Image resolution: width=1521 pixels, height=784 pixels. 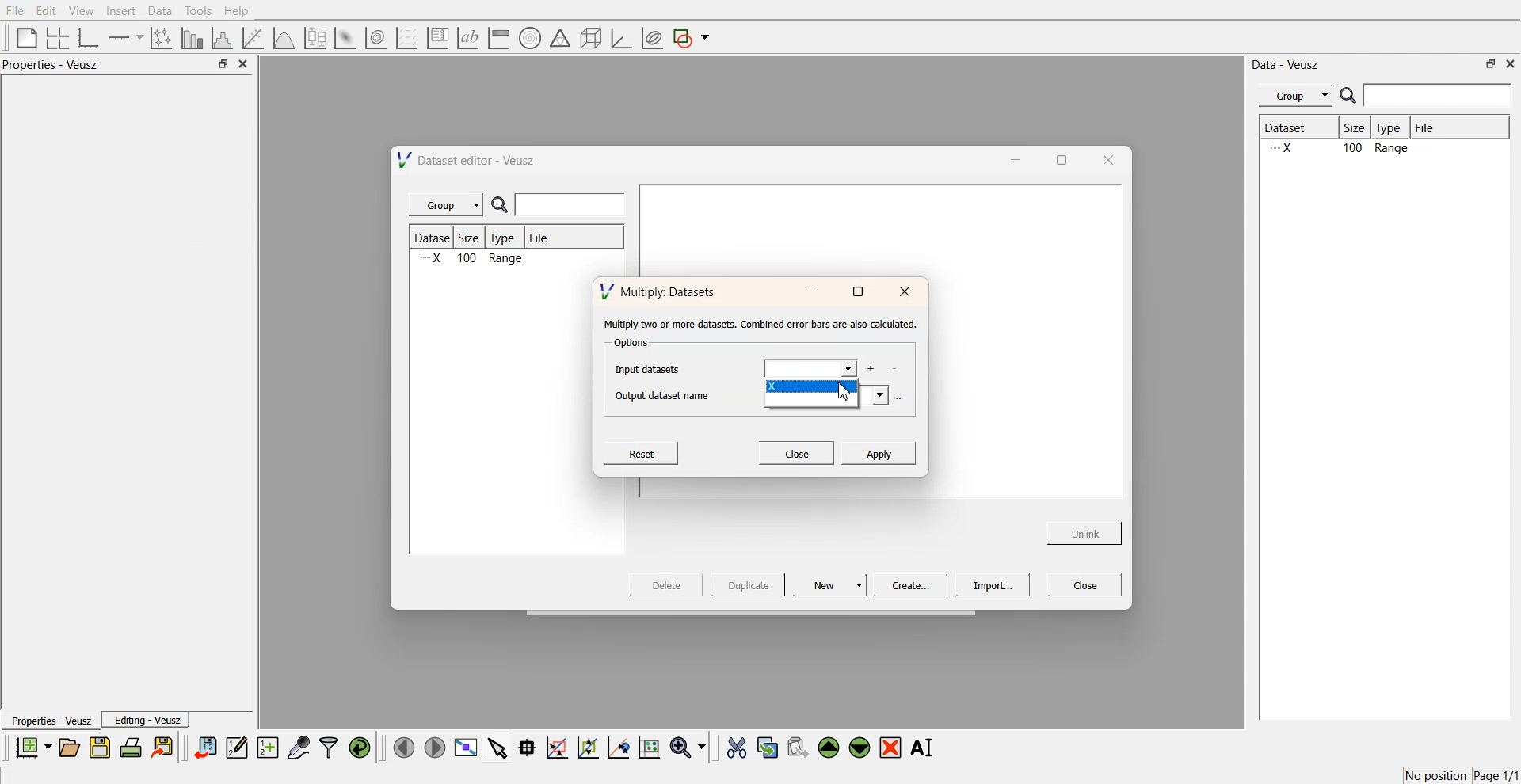 What do you see at coordinates (620, 39) in the screenshot?
I see `3d graph` at bounding box center [620, 39].